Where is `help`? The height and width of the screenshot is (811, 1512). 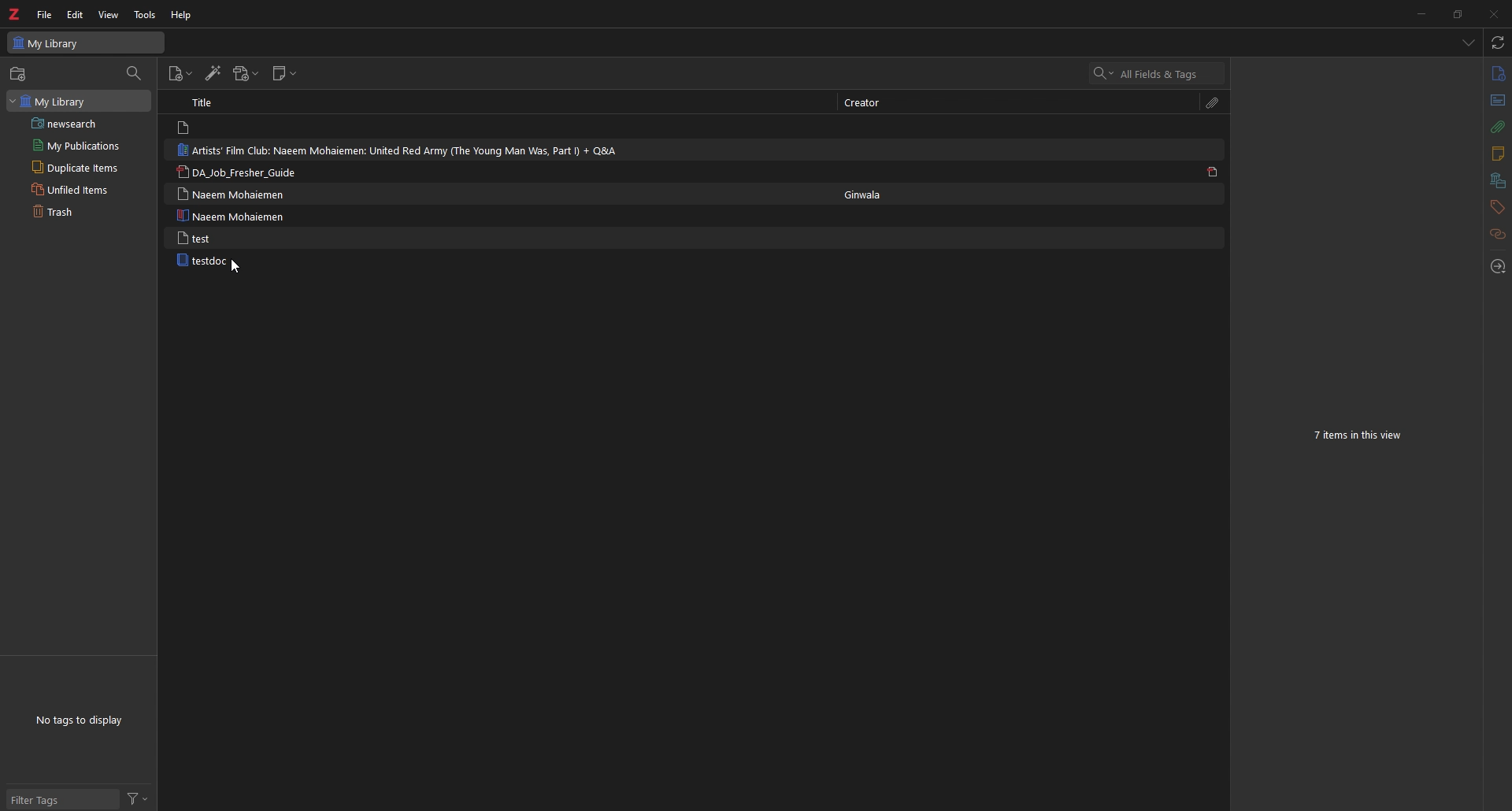
help is located at coordinates (183, 14).